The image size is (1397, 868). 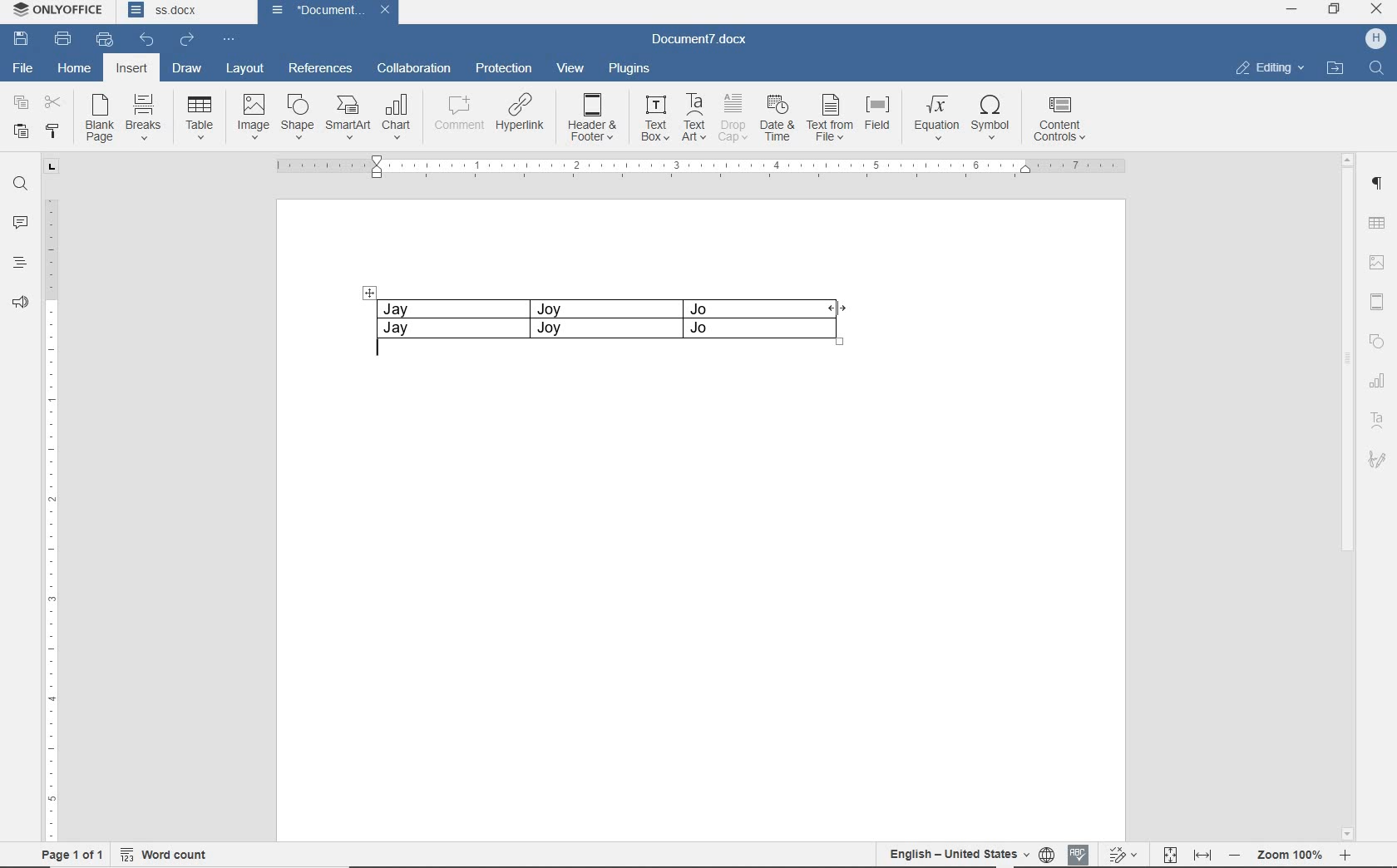 What do you see at coordinates (54, 101) in the screenshot?
I see `CUT` at bounding box center [54, 101].